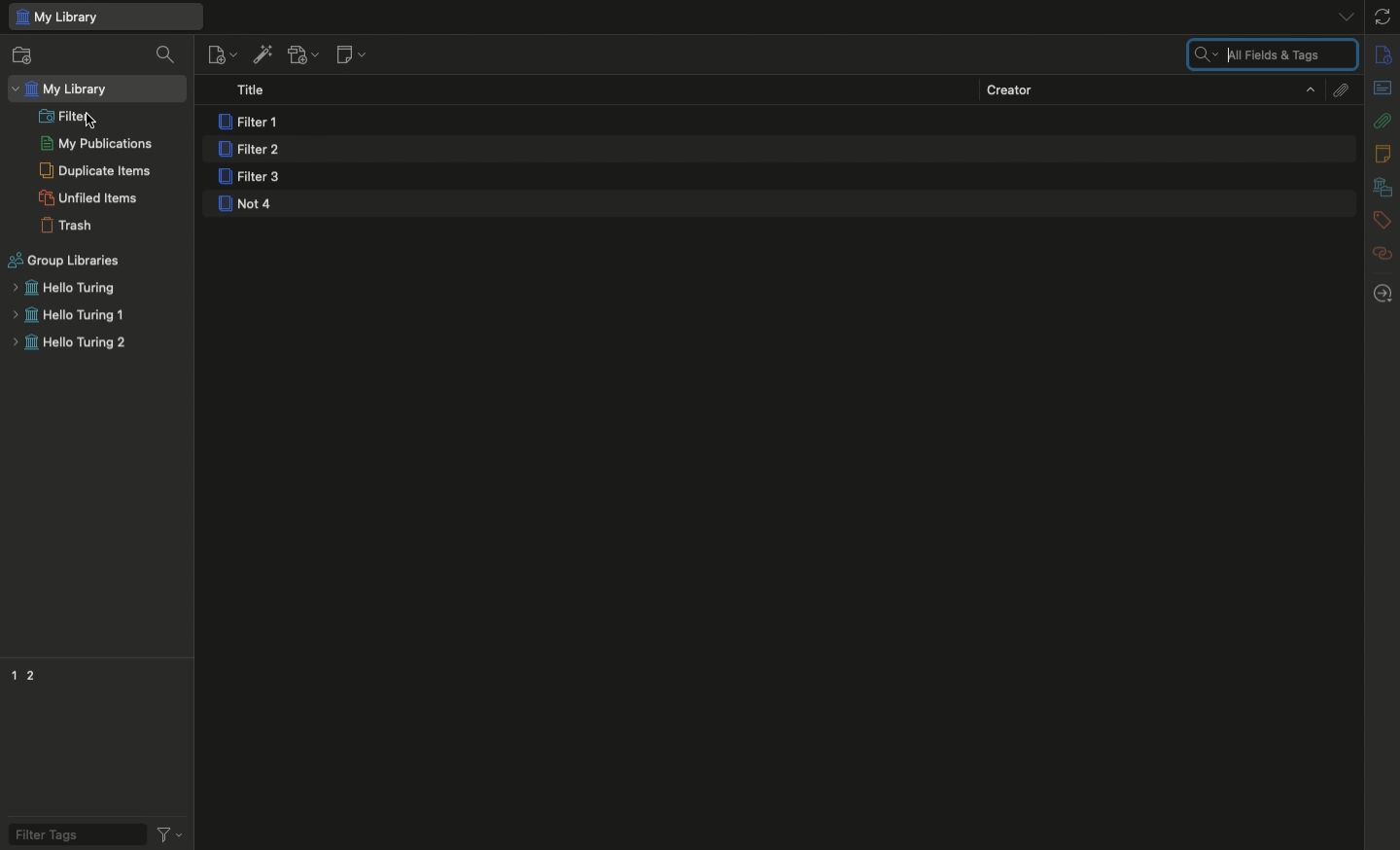 This screenshot has width=1400, height=850. I want to click on Related, so click(1382, 253).